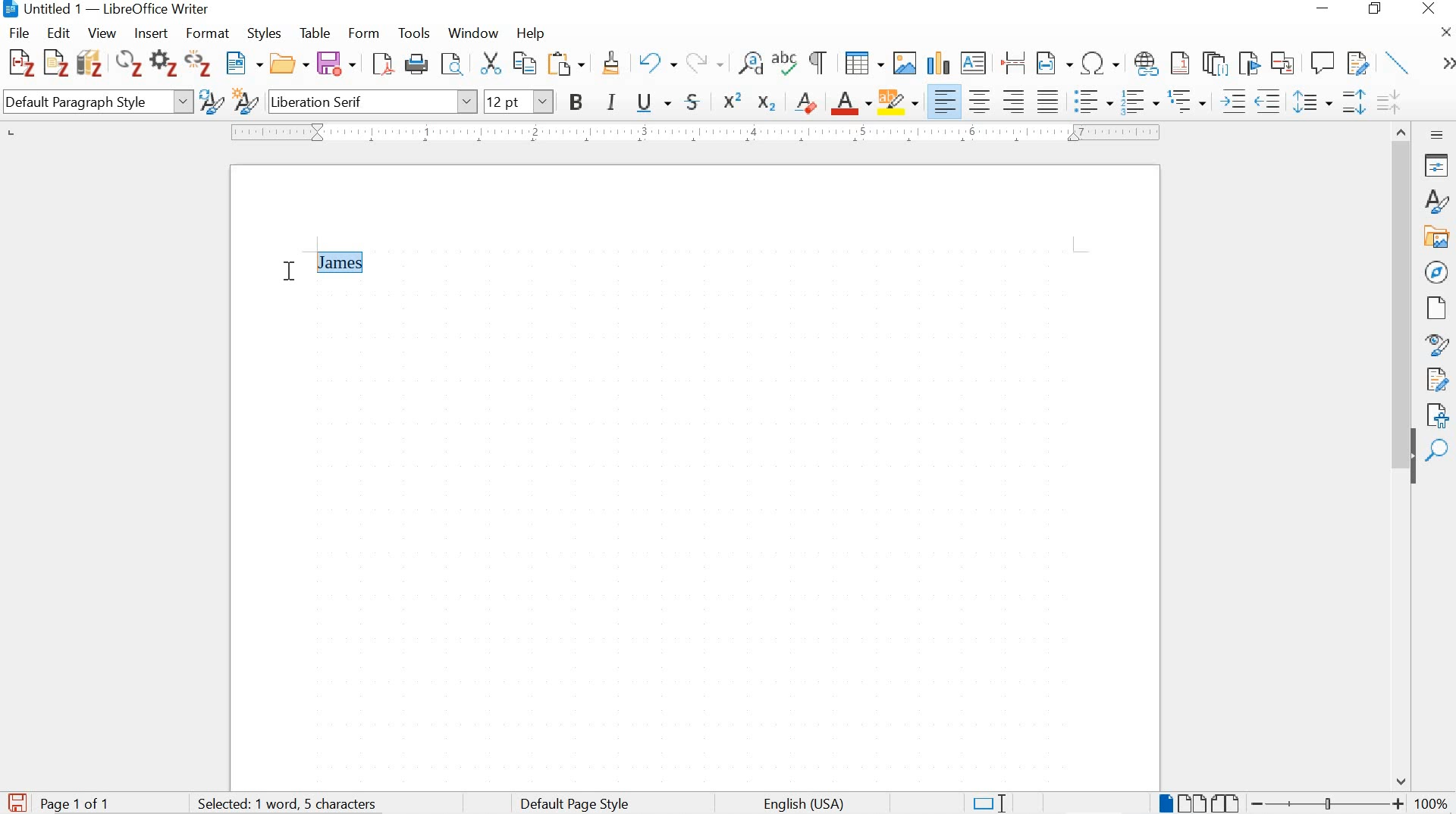 This screenshot has height=814, width=1456. I want to click on track changes function, so click(1355, 61).